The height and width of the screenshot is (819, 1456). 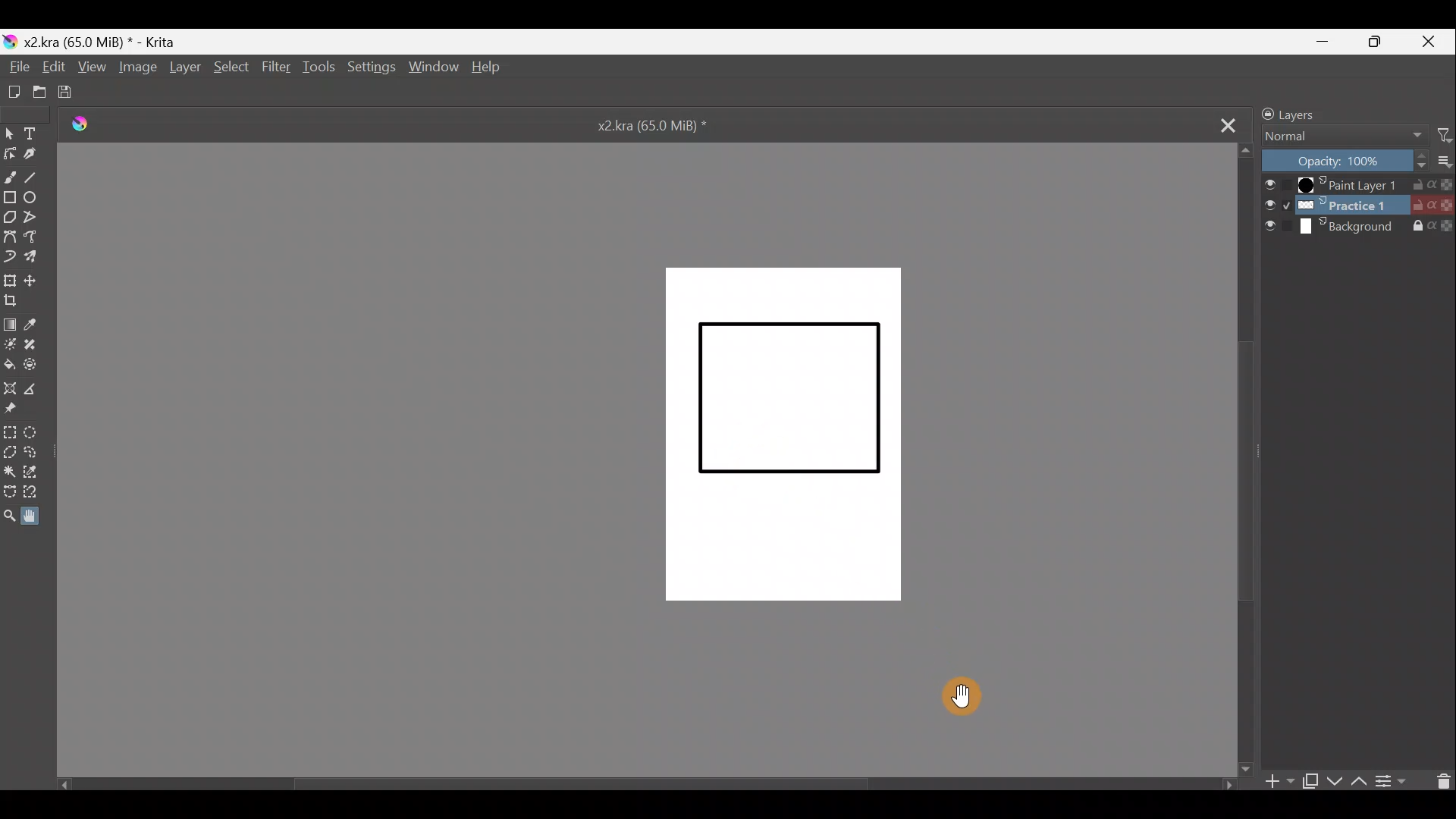 I want to click on Rectangle tool, so click(x=10, y=198).